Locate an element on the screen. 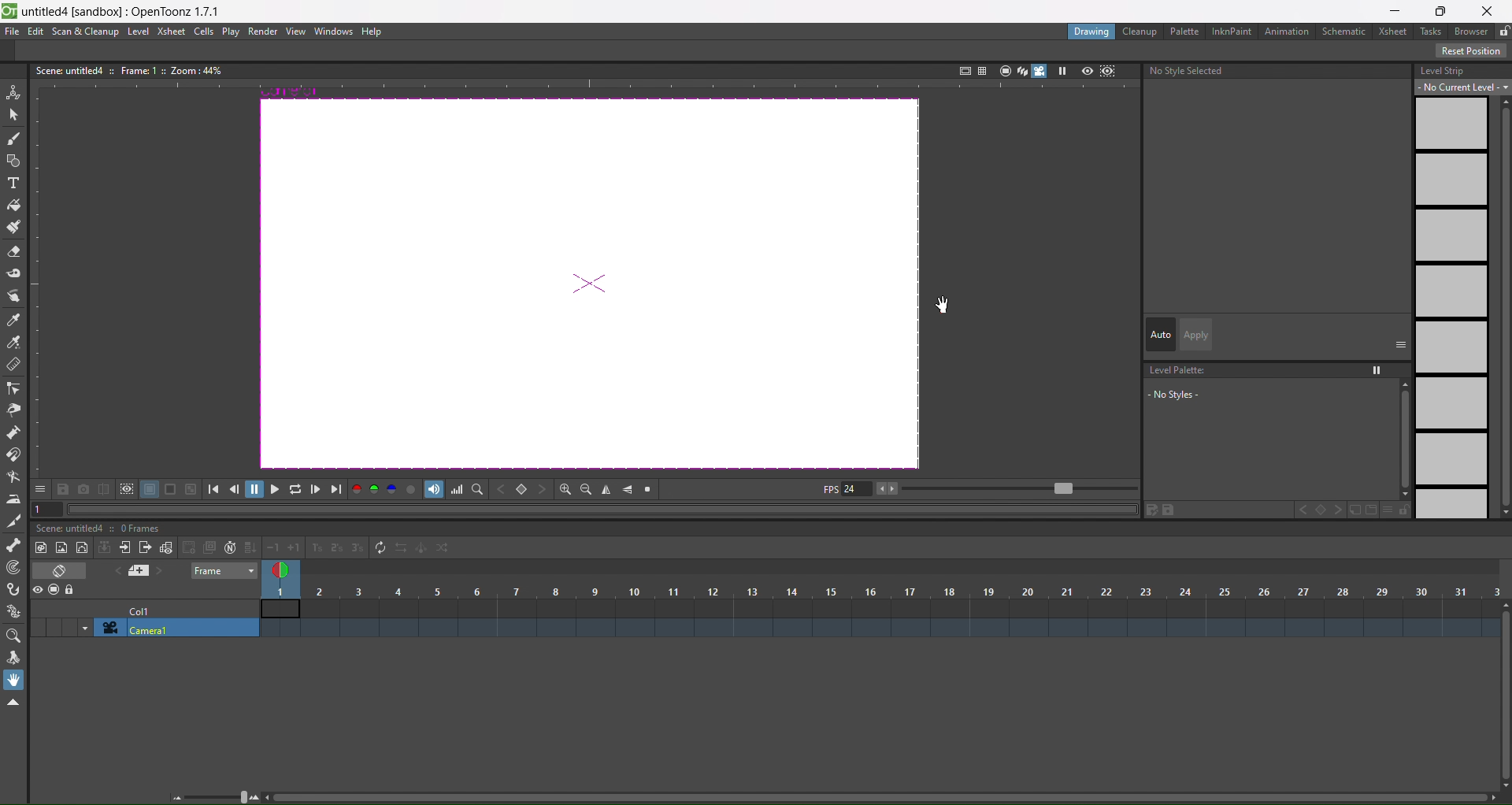 The width and height of the screenshot is (1512, 805). skeleton tool is located at coordinates (14, 544).